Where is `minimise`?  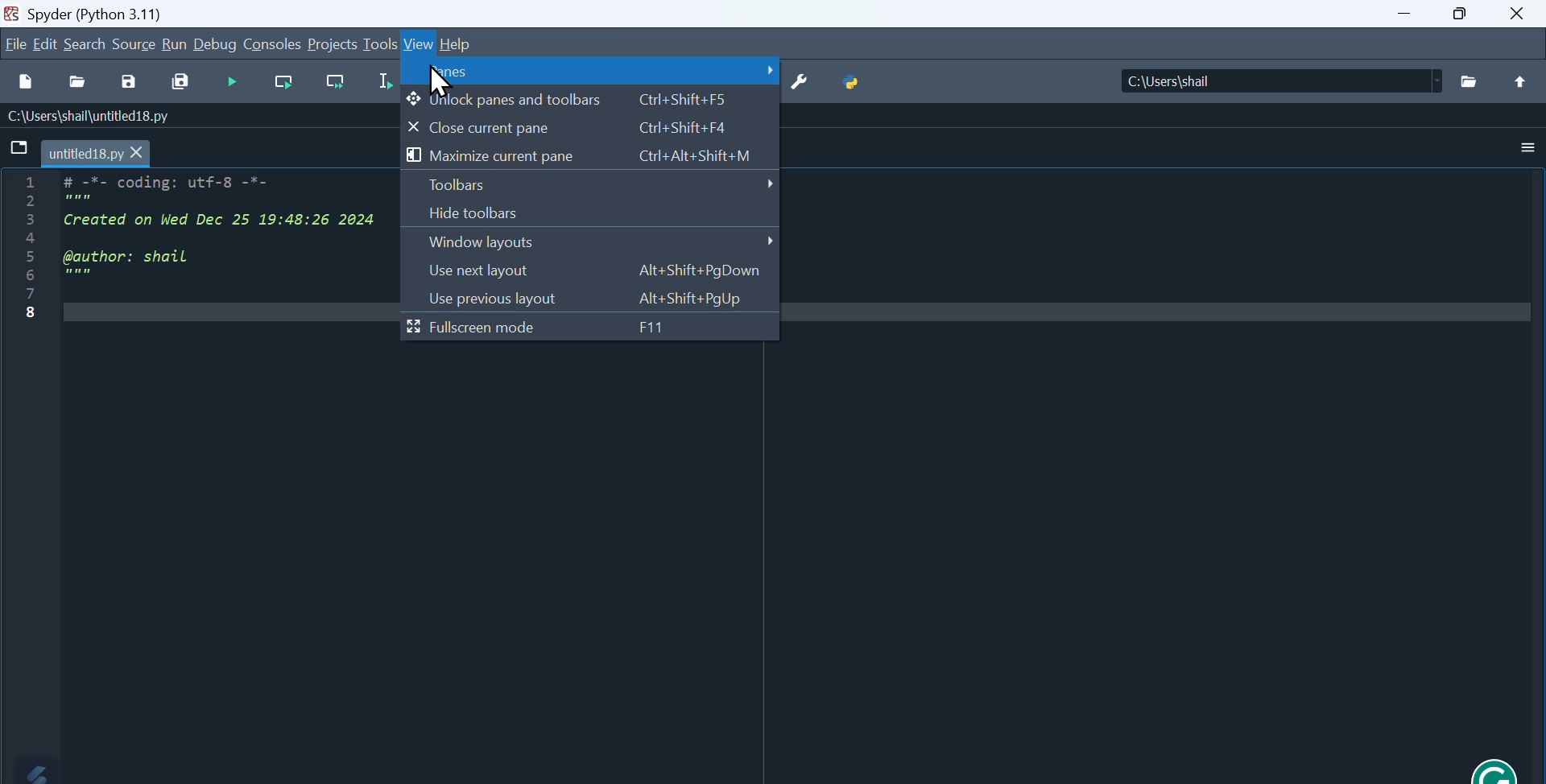
minimise is located at coordinates (1404, 16).